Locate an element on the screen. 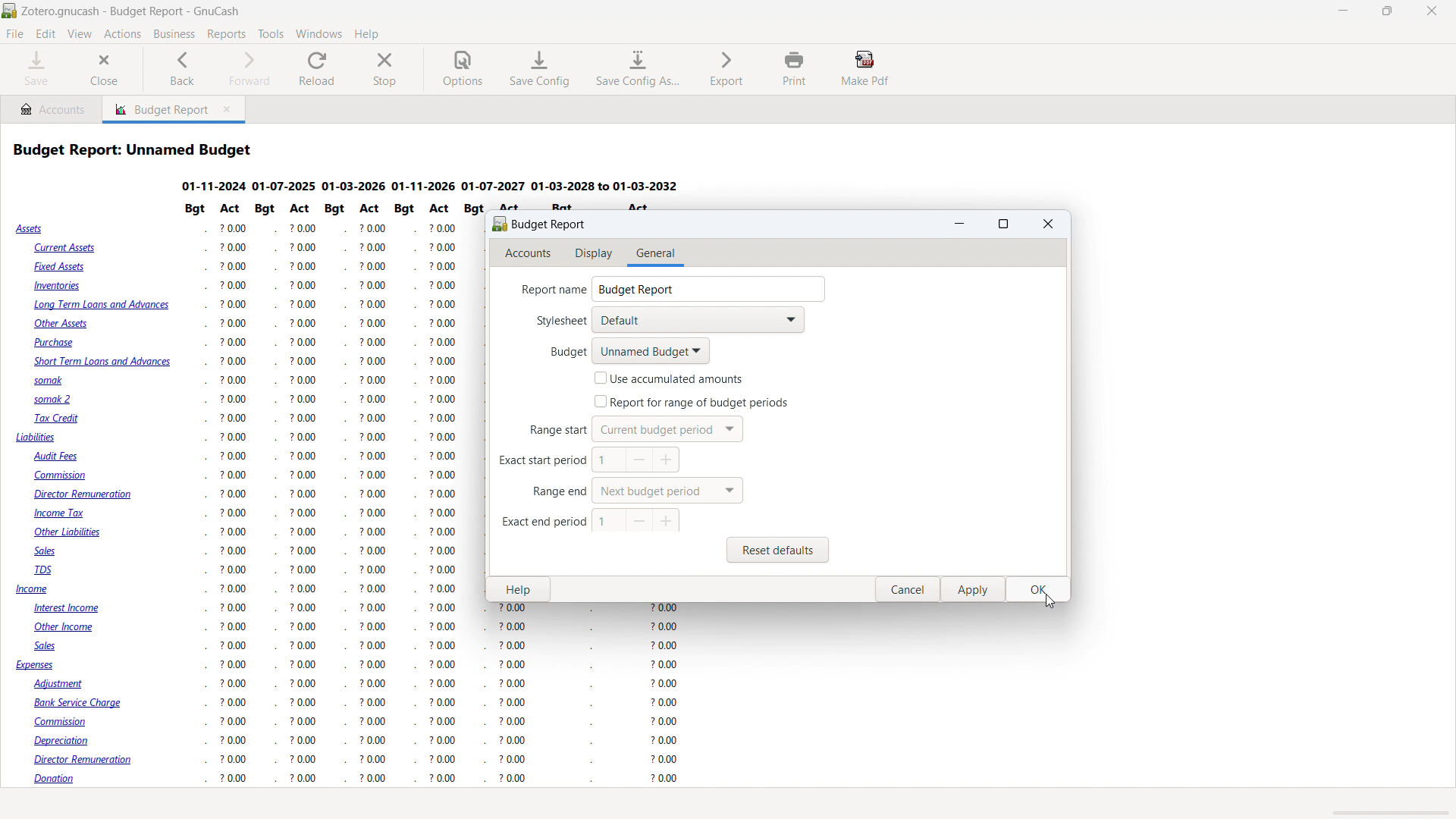 Image resolution: width=1456 pixels, height=819 pixels. Liabilities is located at coordinates (36, 438).